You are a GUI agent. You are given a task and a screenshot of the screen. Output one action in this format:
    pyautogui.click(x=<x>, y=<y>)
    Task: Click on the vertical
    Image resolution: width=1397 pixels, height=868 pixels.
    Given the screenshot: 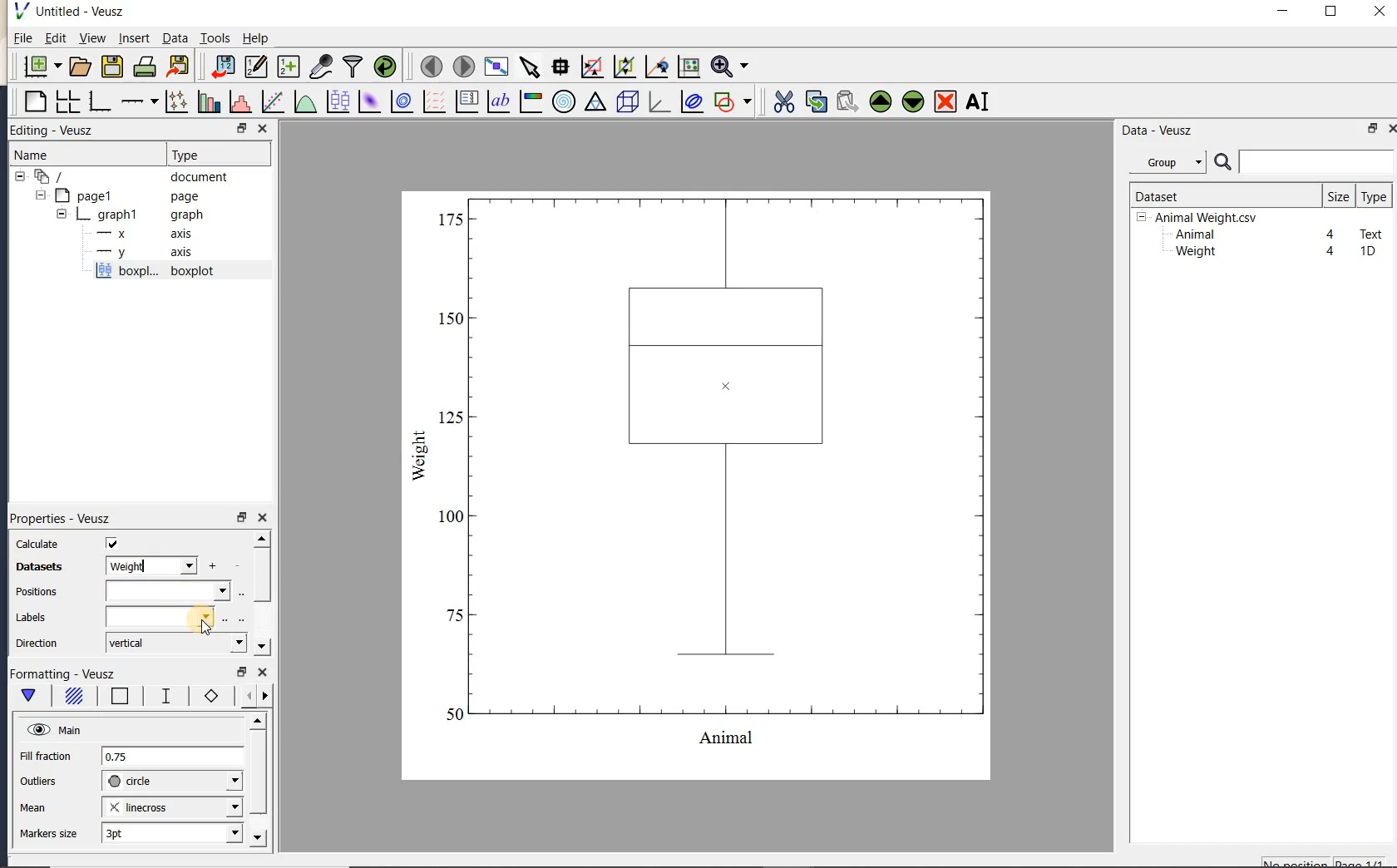 What is the action you would take?
    pyautogui.click(x=175, y=644)
    